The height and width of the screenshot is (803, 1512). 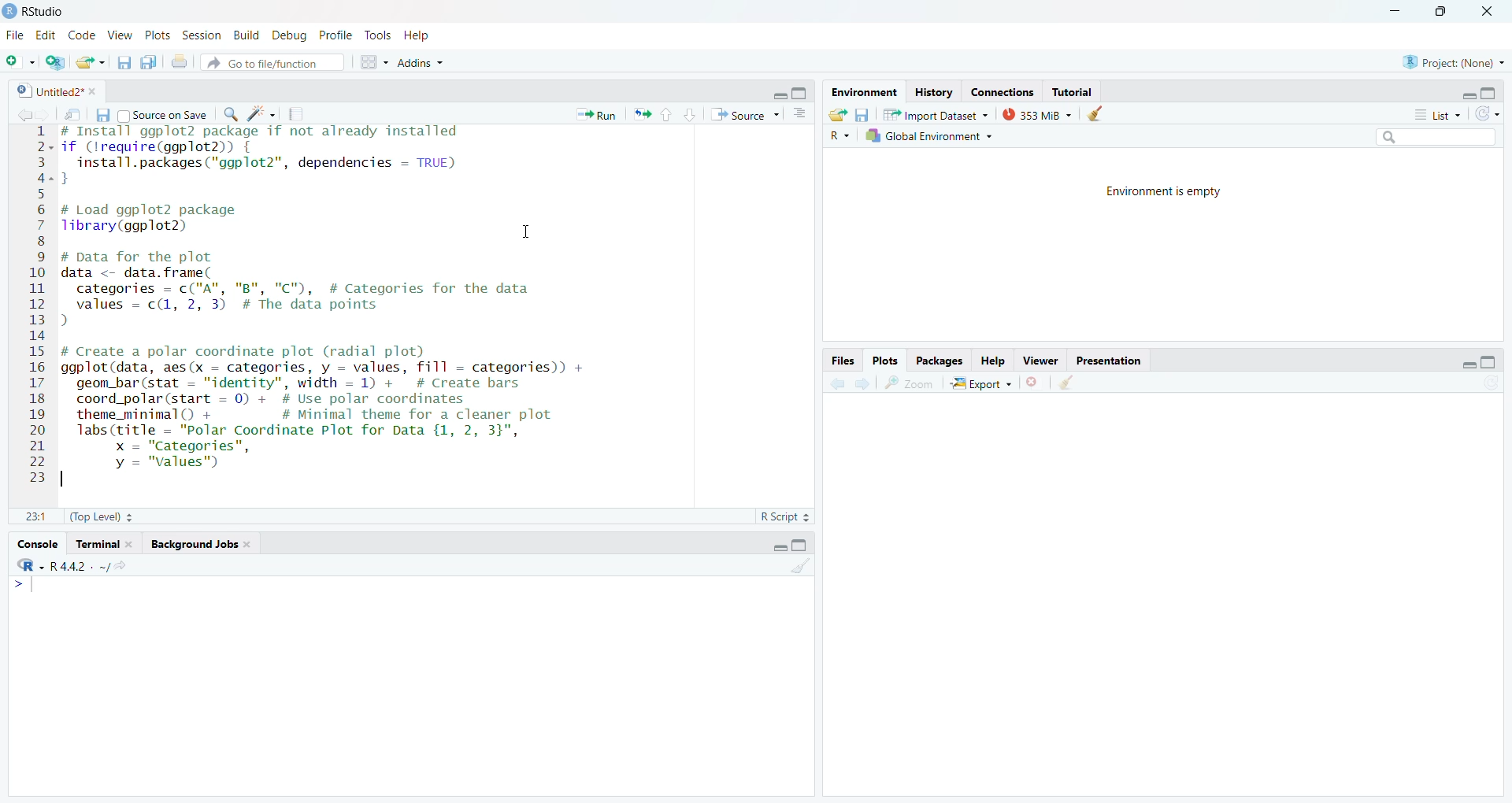 I want to click on  Import Dataset ~, so click(x=935, y=117).